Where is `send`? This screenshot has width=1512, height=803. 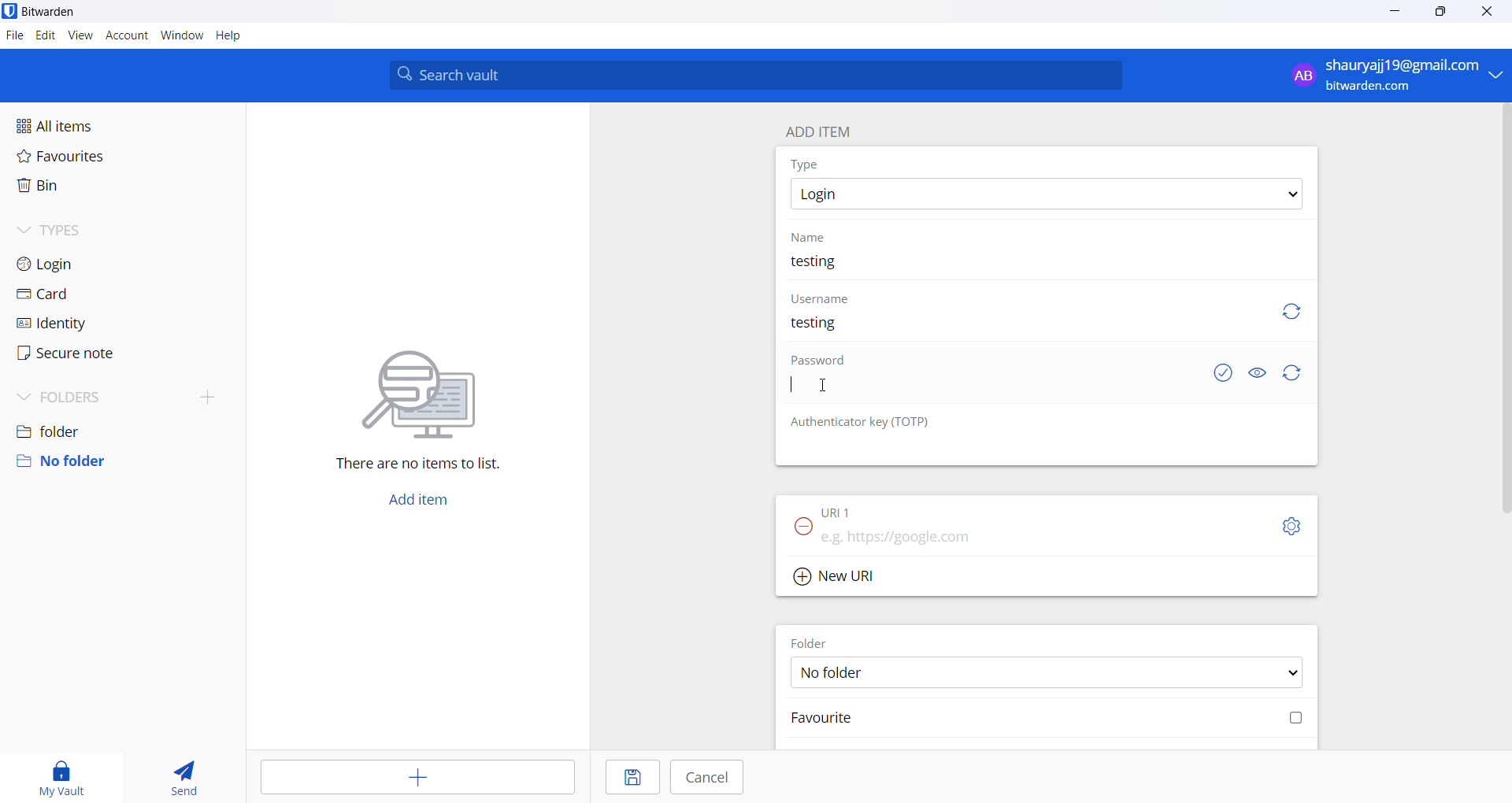
send is located at coordinates (186, 775).